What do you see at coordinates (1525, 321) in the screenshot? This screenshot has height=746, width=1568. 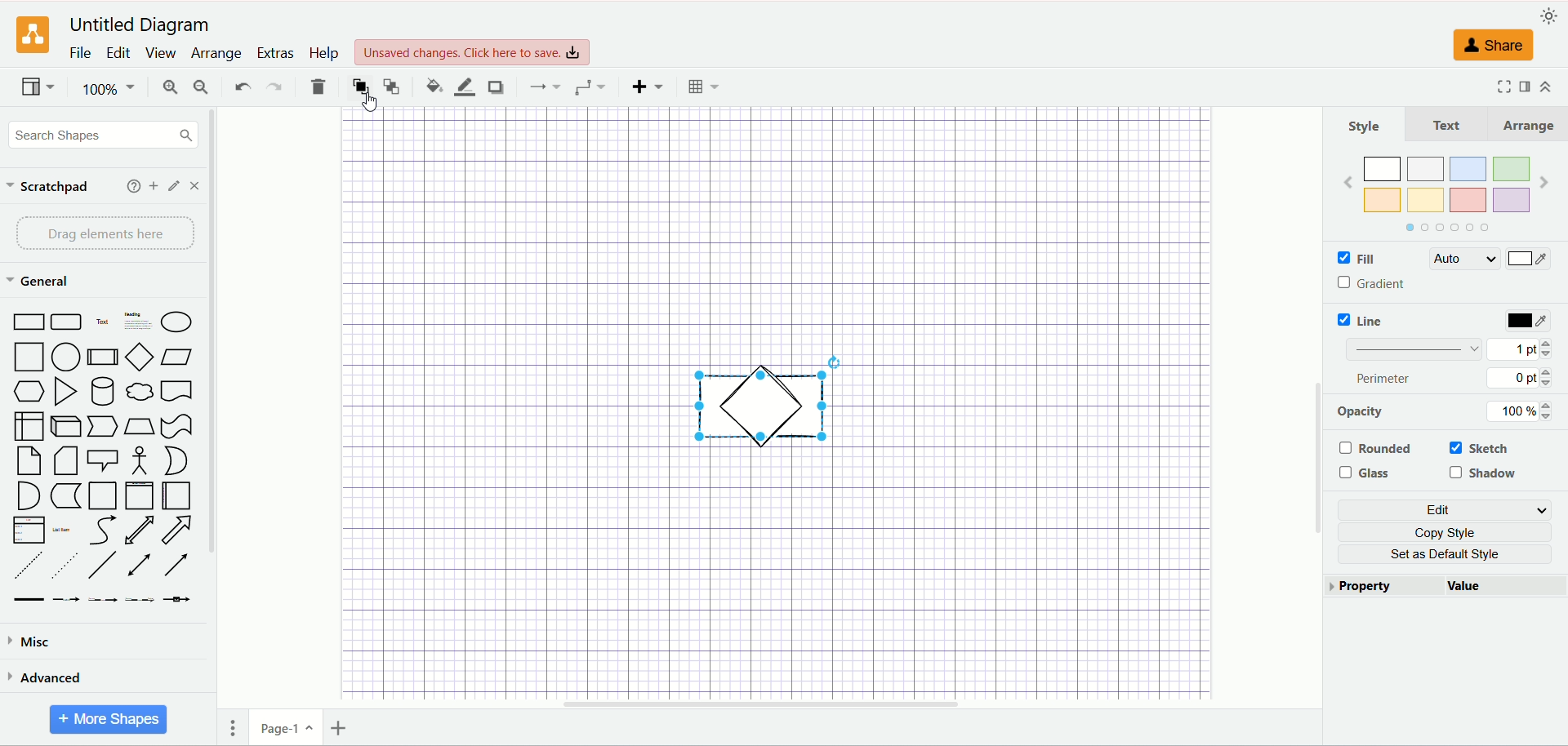 I see `color` at bounding box center [1525, 321].